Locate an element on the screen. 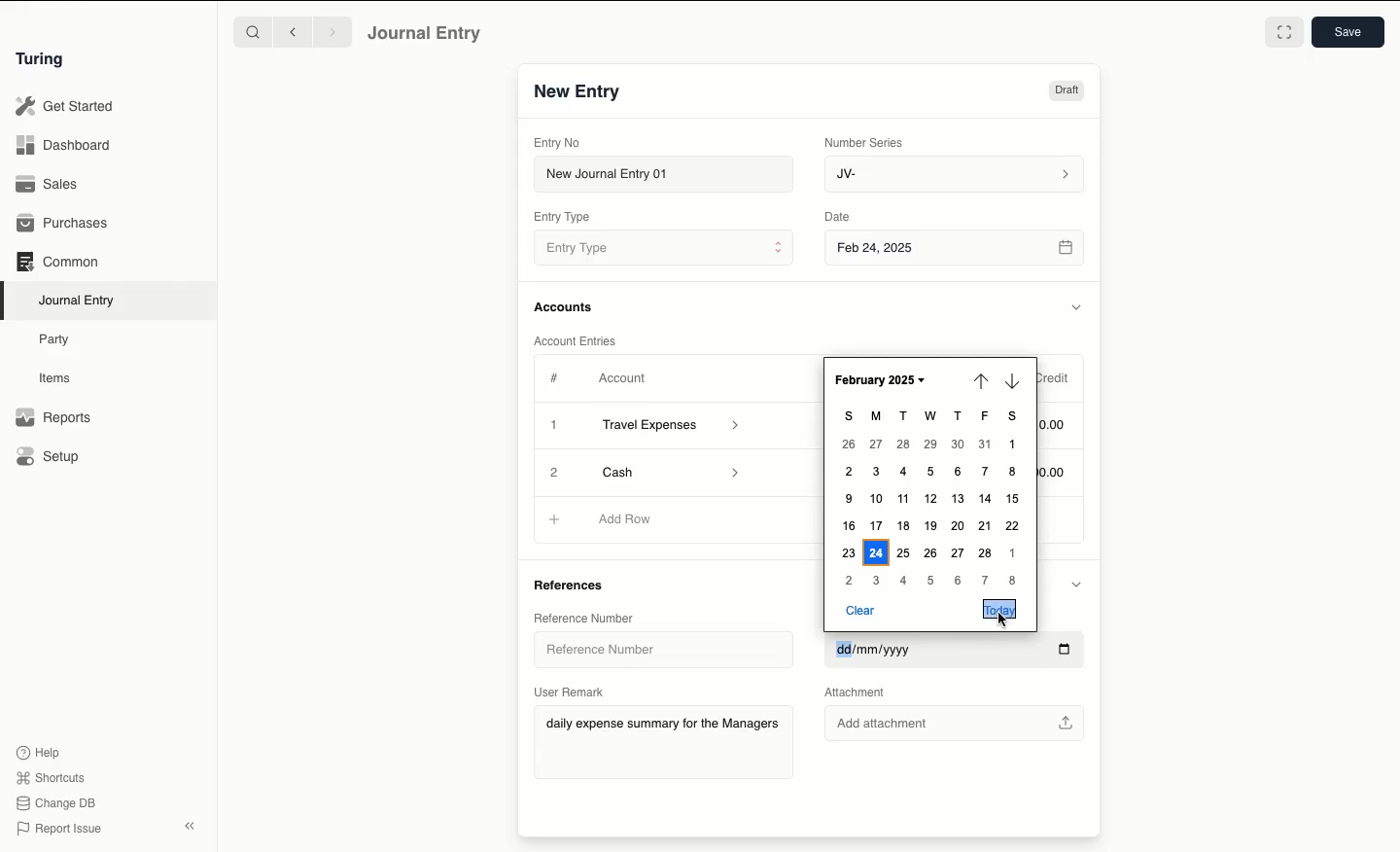 This screenshot has height=852, width=1400. Save is located at coordinates (1348, 32).